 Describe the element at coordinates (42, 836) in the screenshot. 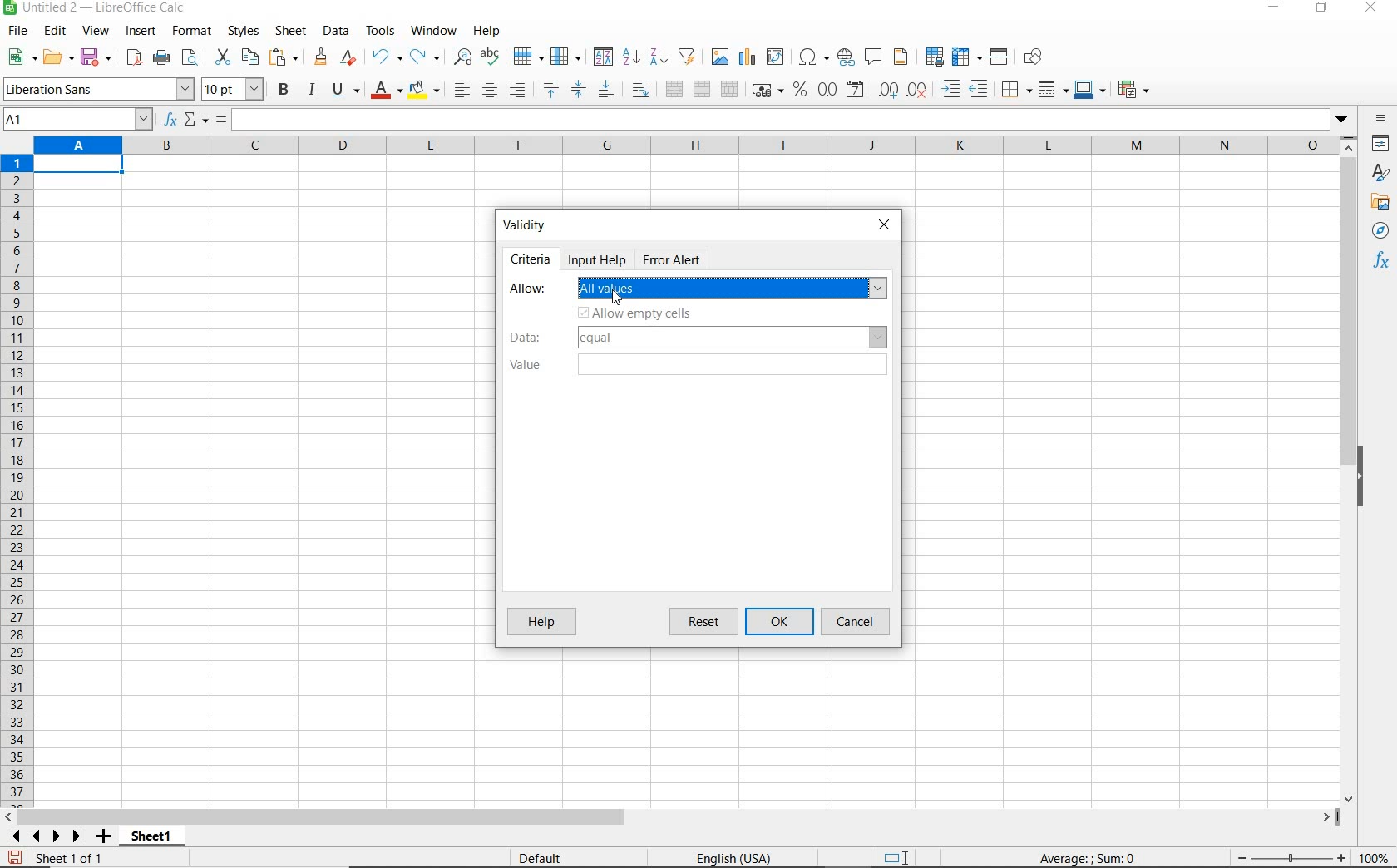

I see `scroll next` at that location.